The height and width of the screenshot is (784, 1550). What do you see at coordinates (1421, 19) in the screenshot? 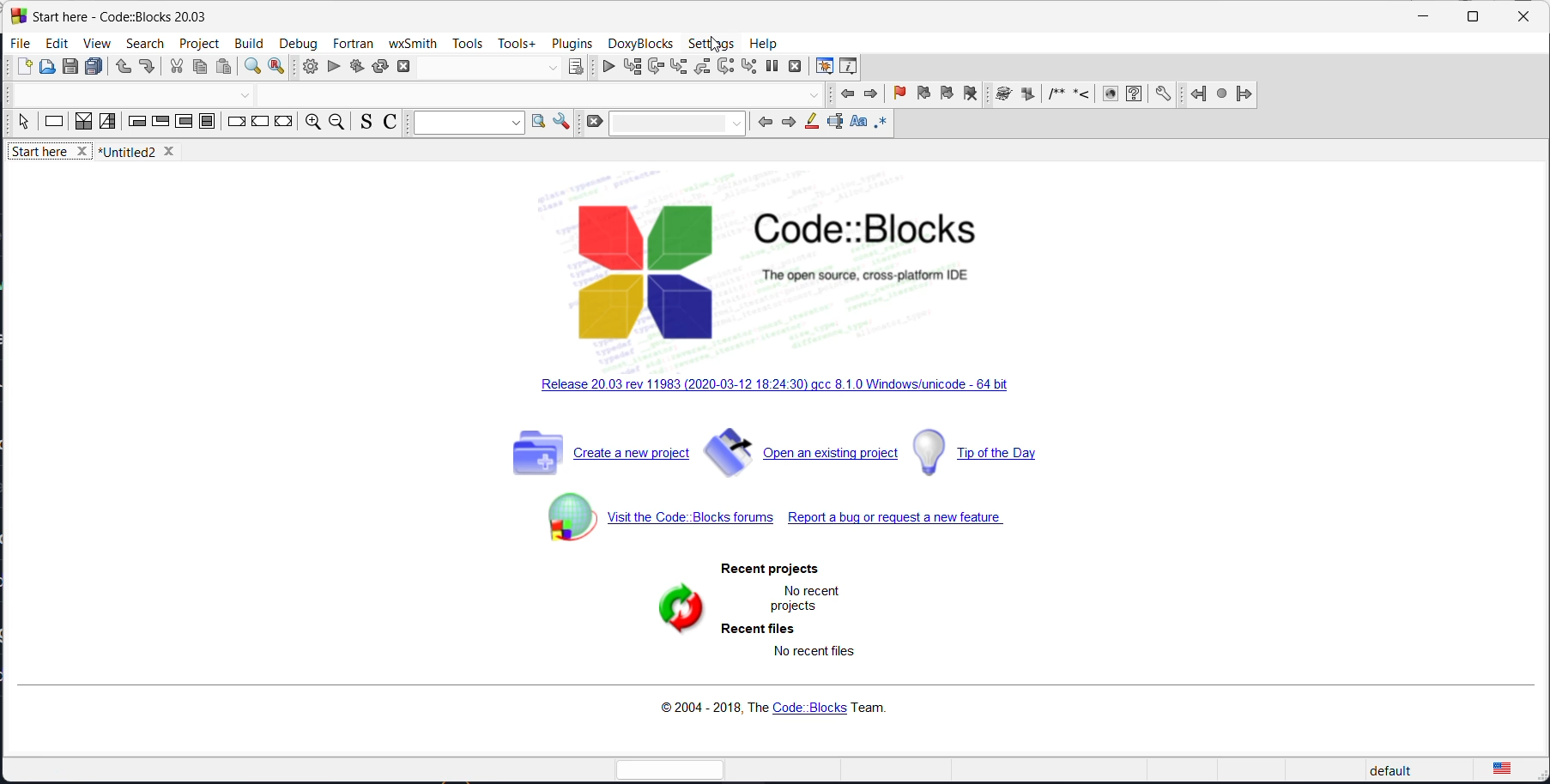
I see `minimize` at bounding box center [1421, 19].